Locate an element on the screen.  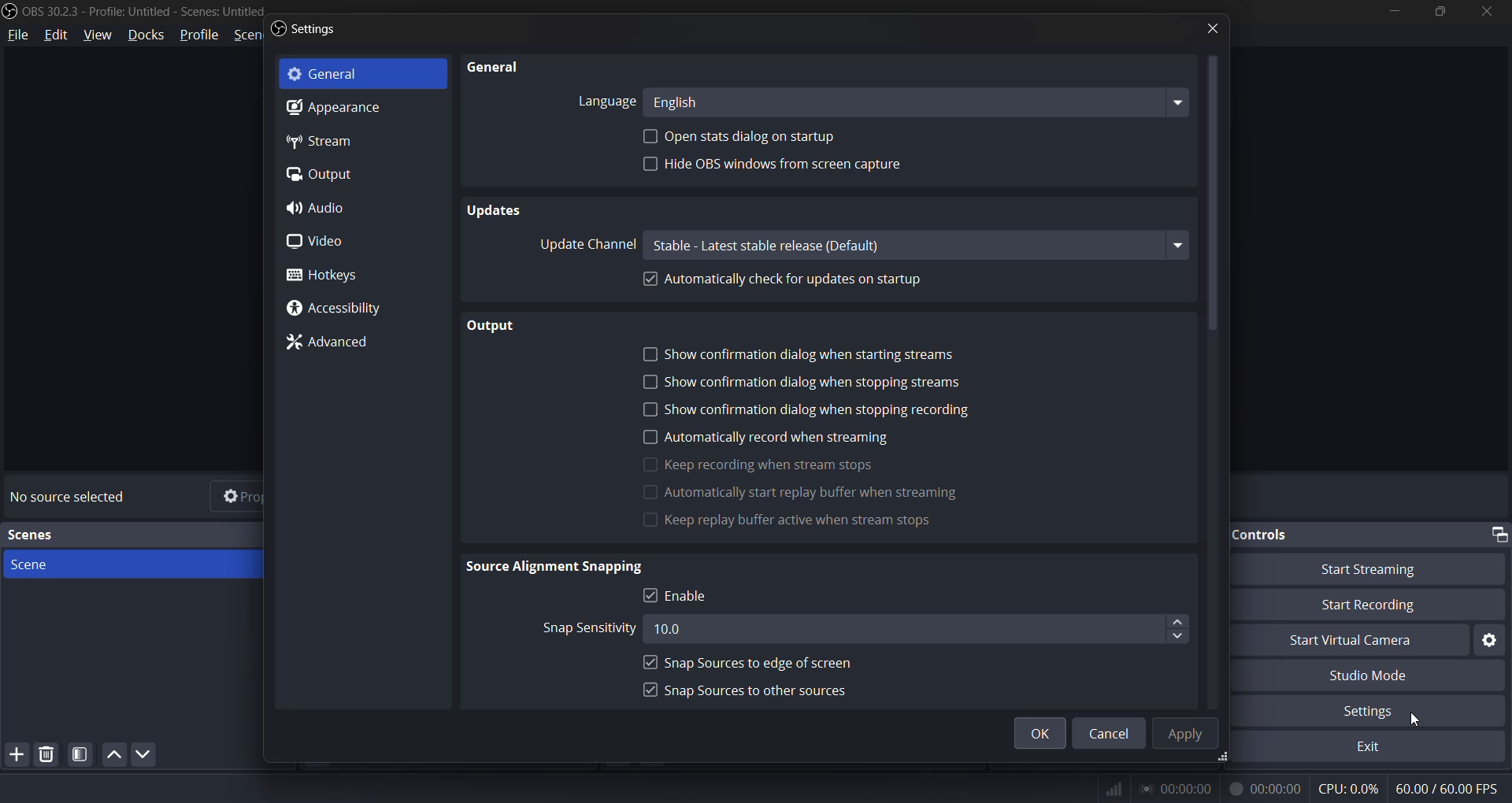
App icon is located at coordinates (10, 12).